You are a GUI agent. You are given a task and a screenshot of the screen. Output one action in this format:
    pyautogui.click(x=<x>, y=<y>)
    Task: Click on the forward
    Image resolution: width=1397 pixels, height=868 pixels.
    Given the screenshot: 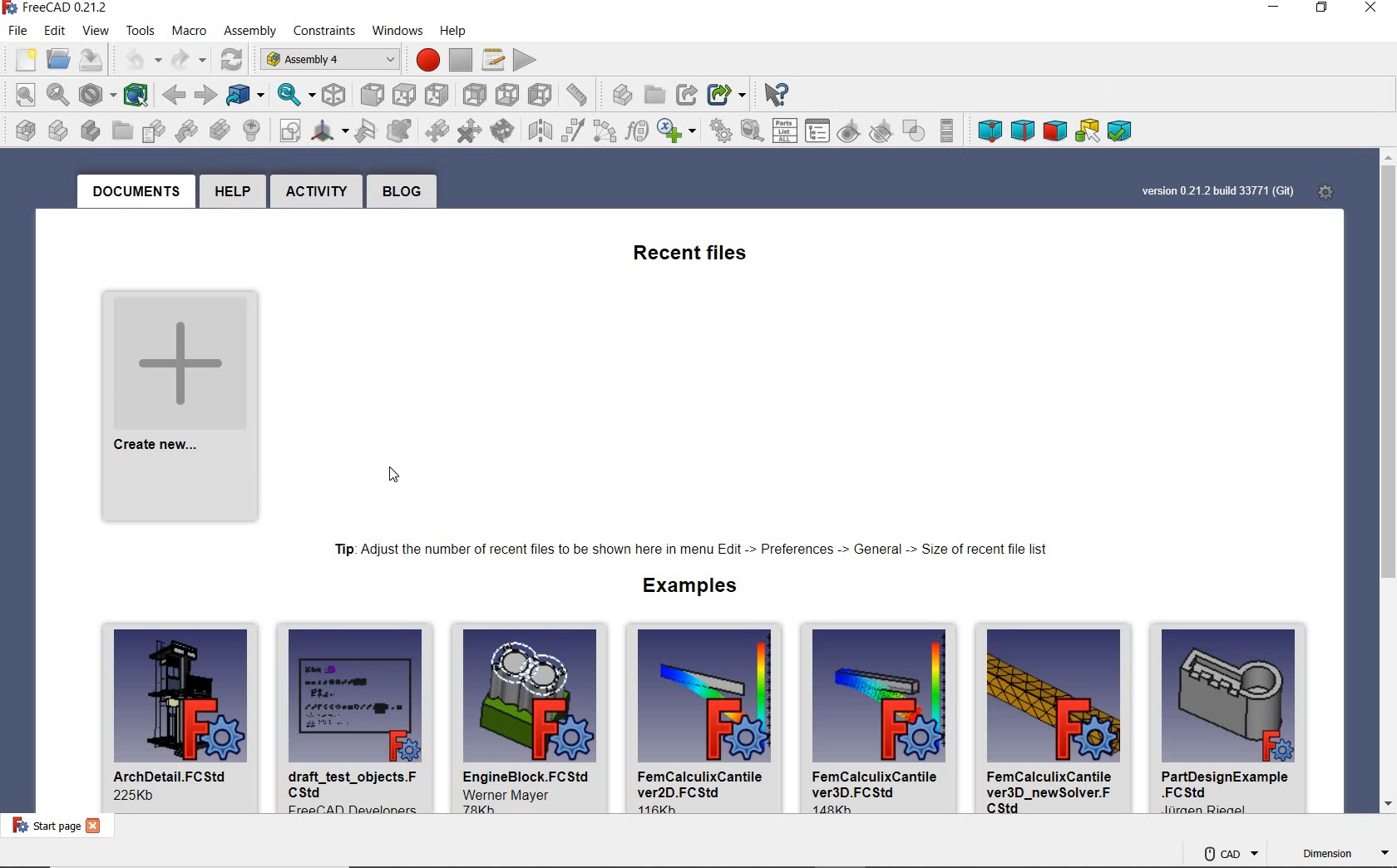 What is the action you would take?
    pyautogui.click(x=205, y=96)
    